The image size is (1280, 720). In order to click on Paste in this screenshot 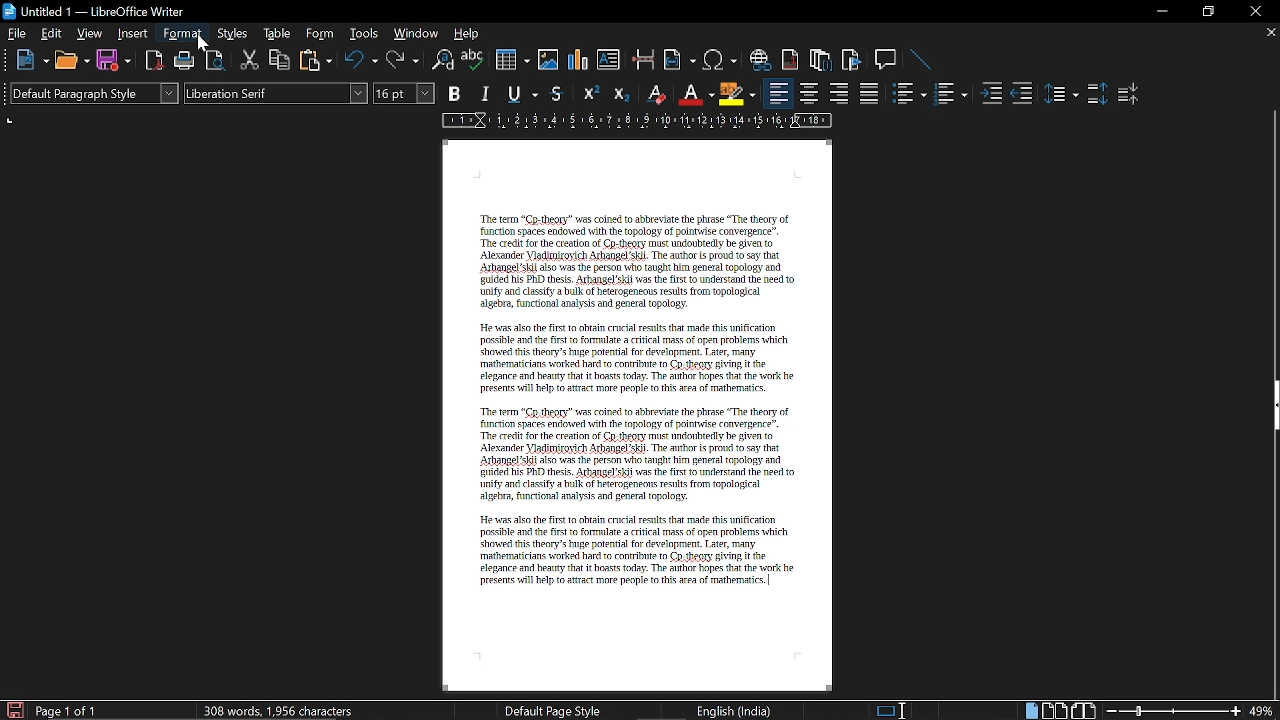, I will do `click(316, 61)`.